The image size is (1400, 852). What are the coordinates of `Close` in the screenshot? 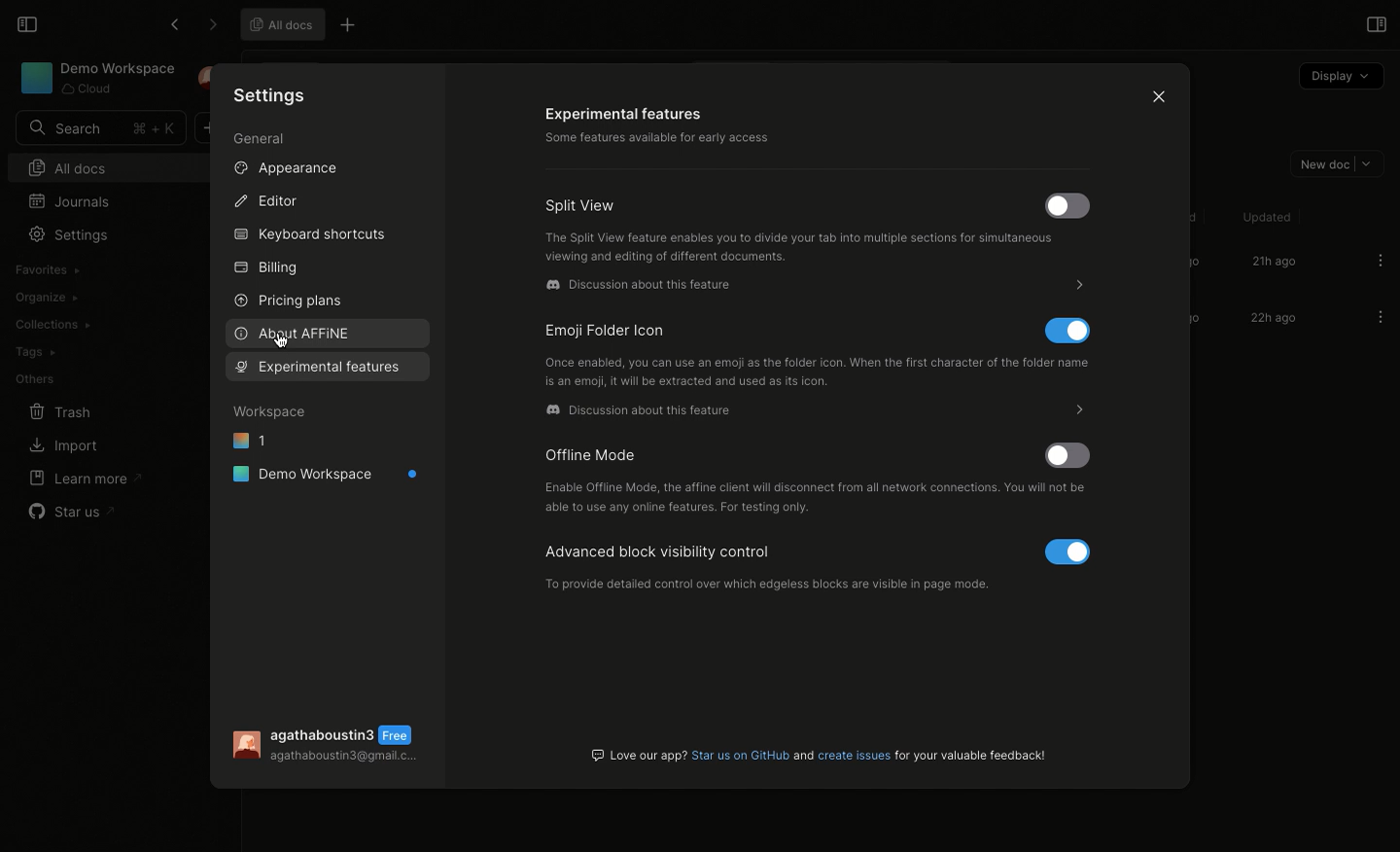 It's located at (1154, 94).